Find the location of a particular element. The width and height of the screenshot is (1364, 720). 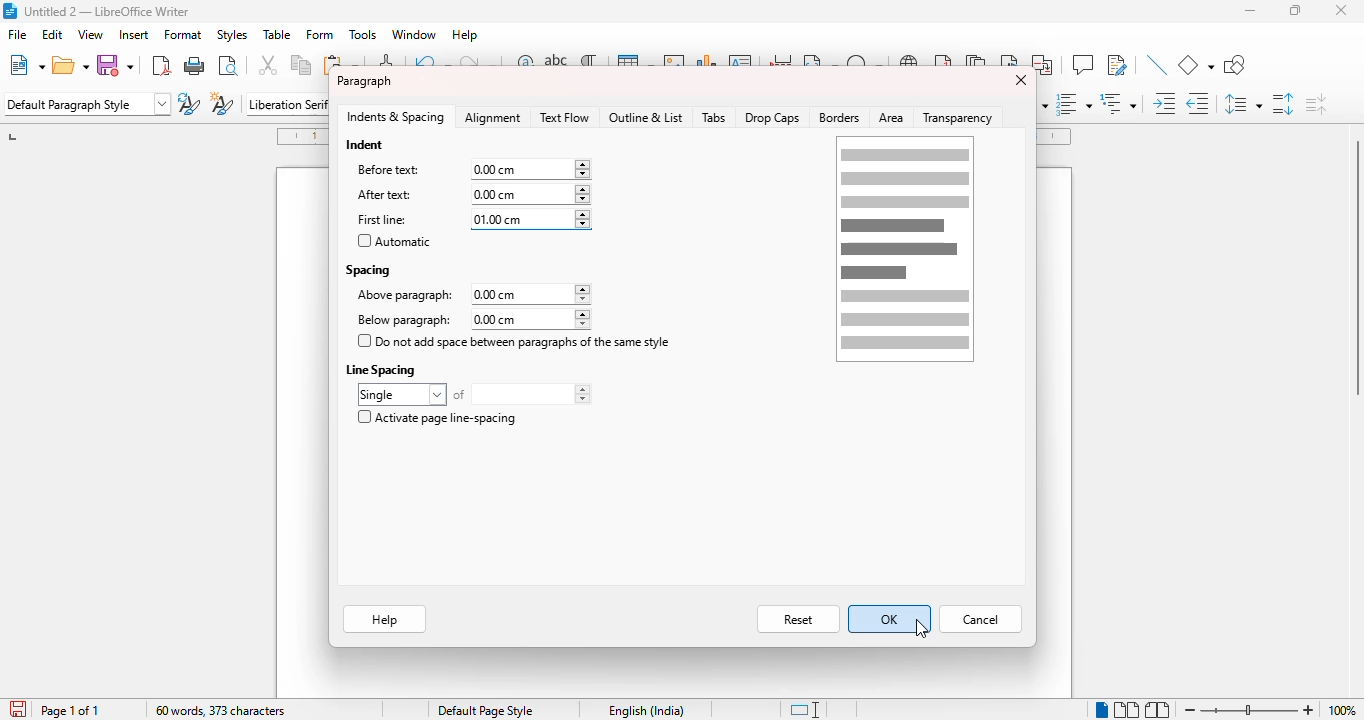

book view is located at coordinates (1158, 709).